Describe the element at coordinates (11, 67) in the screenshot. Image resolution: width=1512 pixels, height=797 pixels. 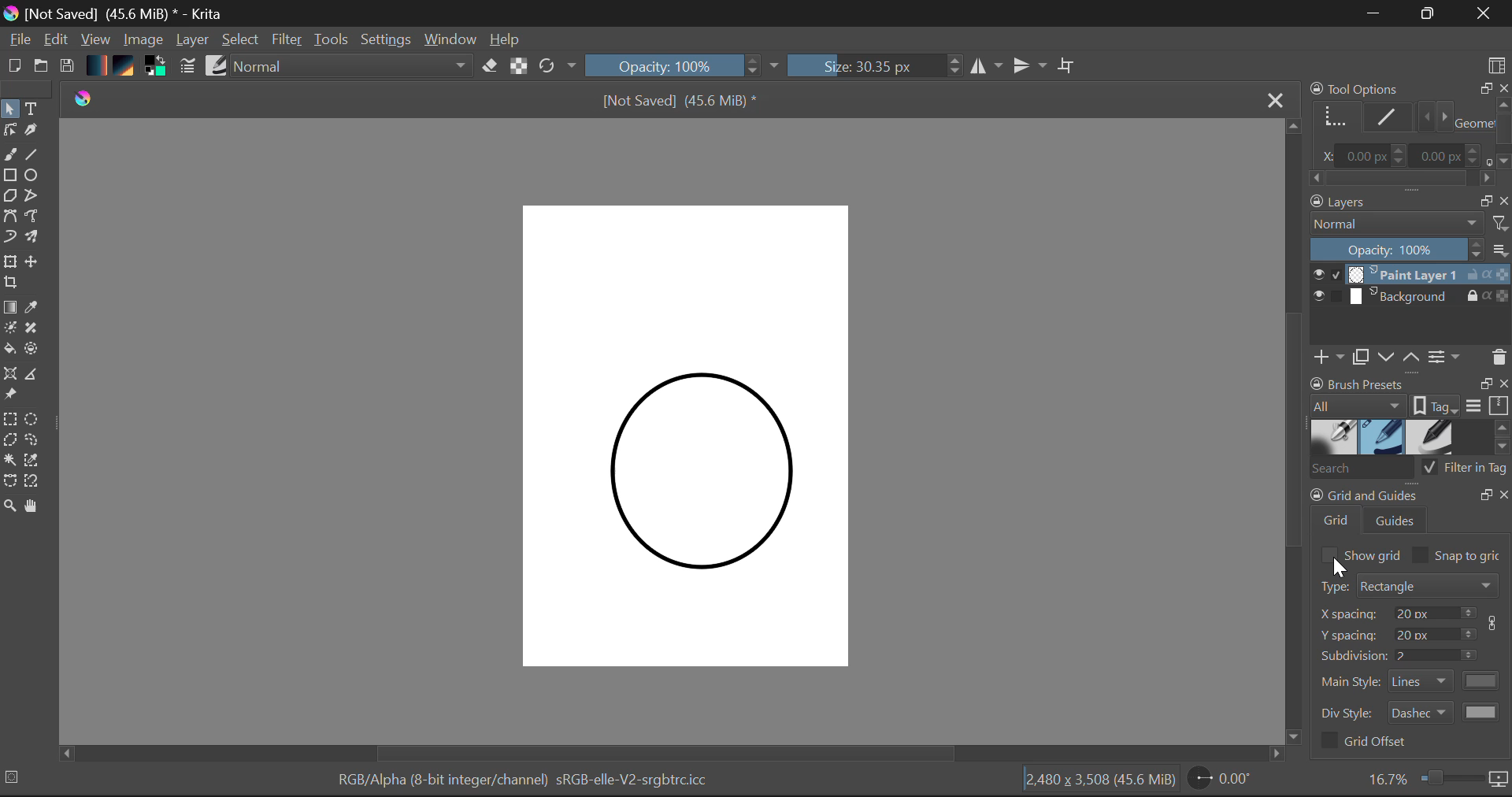
I see `New` at that location.